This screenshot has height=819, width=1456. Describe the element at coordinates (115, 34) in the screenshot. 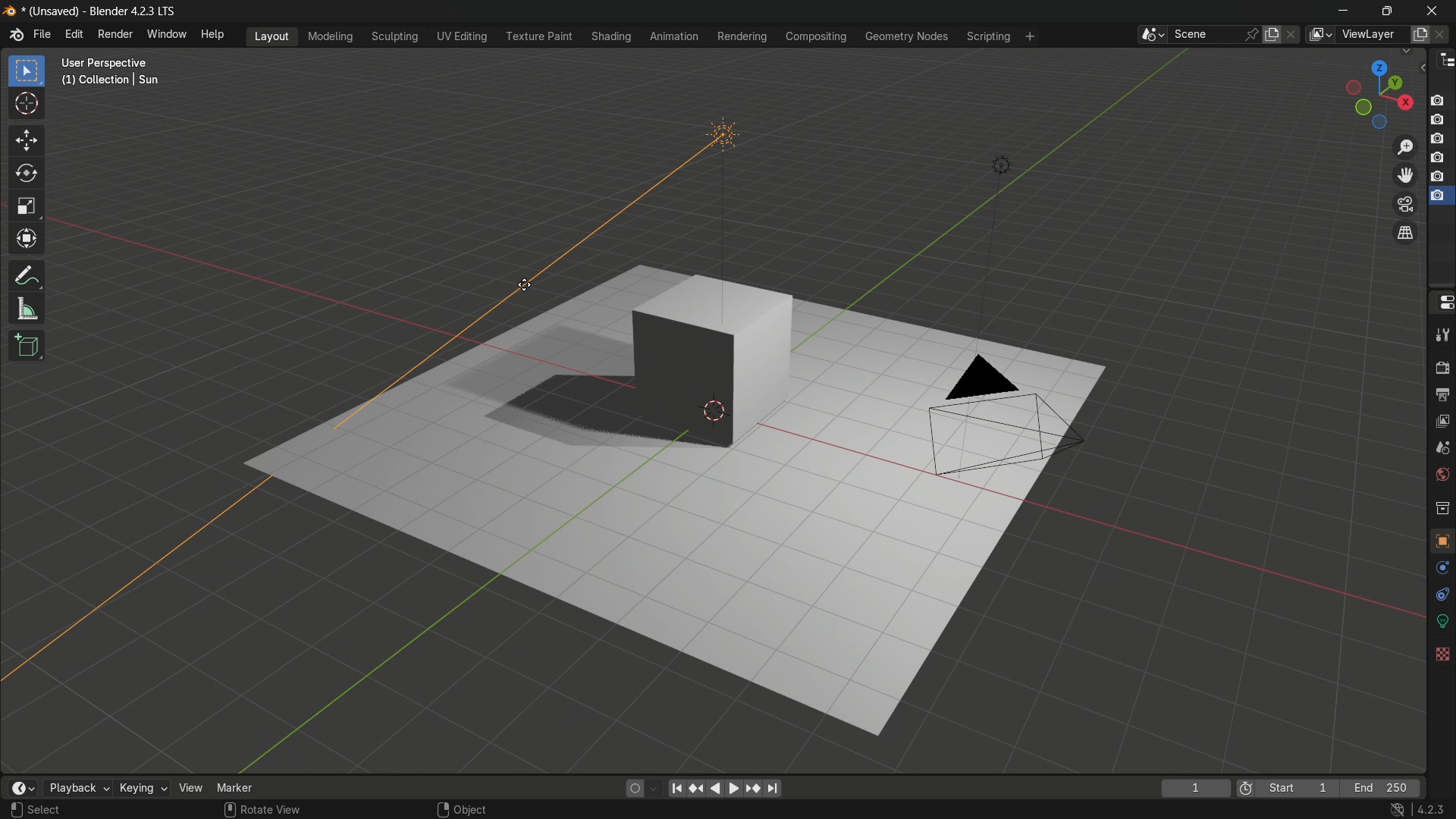

I see `render` at that location.